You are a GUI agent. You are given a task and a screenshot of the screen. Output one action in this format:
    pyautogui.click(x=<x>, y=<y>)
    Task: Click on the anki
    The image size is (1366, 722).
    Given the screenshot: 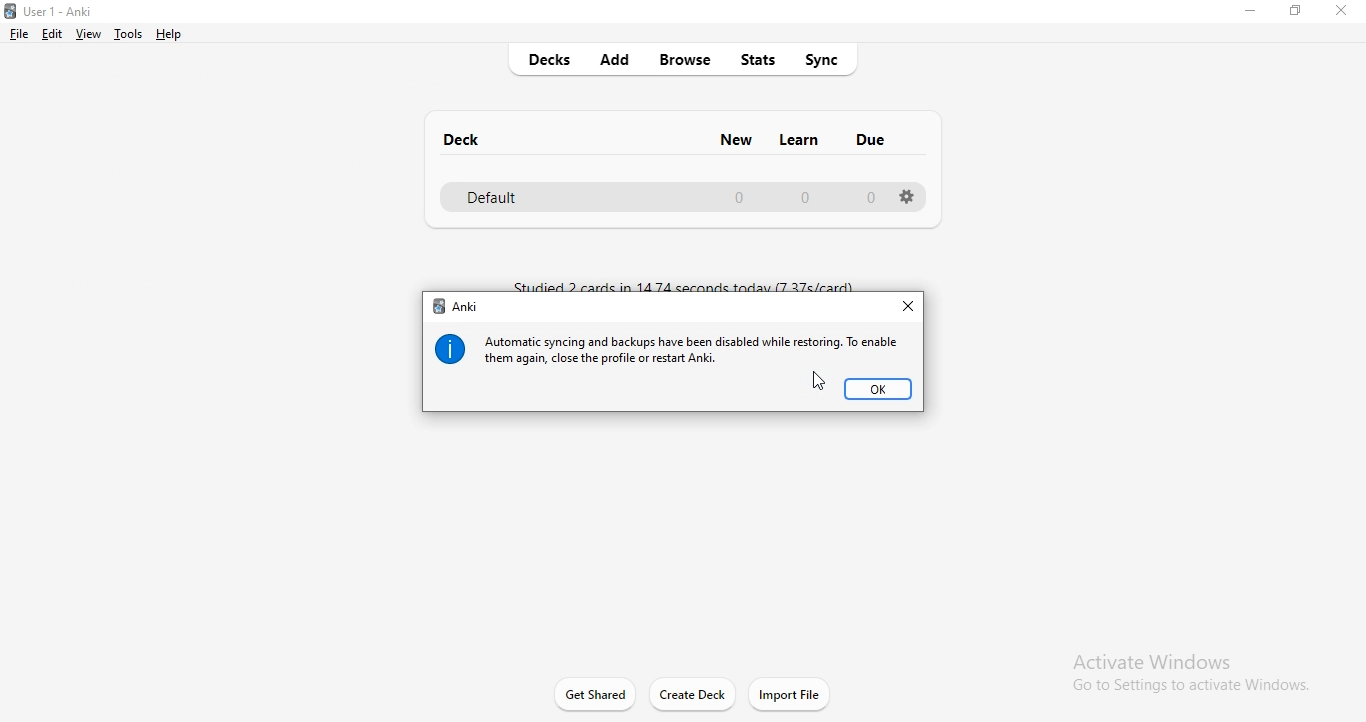 What is the action you would take?
    pyautogui.click(x=458, y=306)
    